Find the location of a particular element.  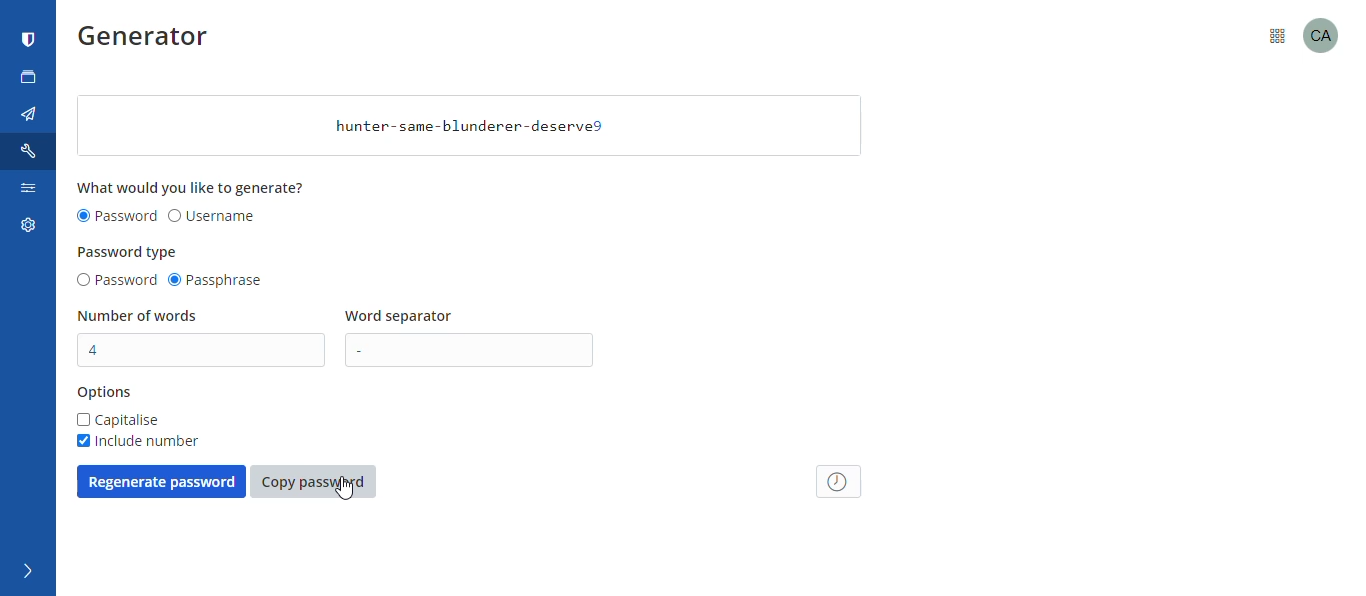

send is located at coordinates (29, 115).